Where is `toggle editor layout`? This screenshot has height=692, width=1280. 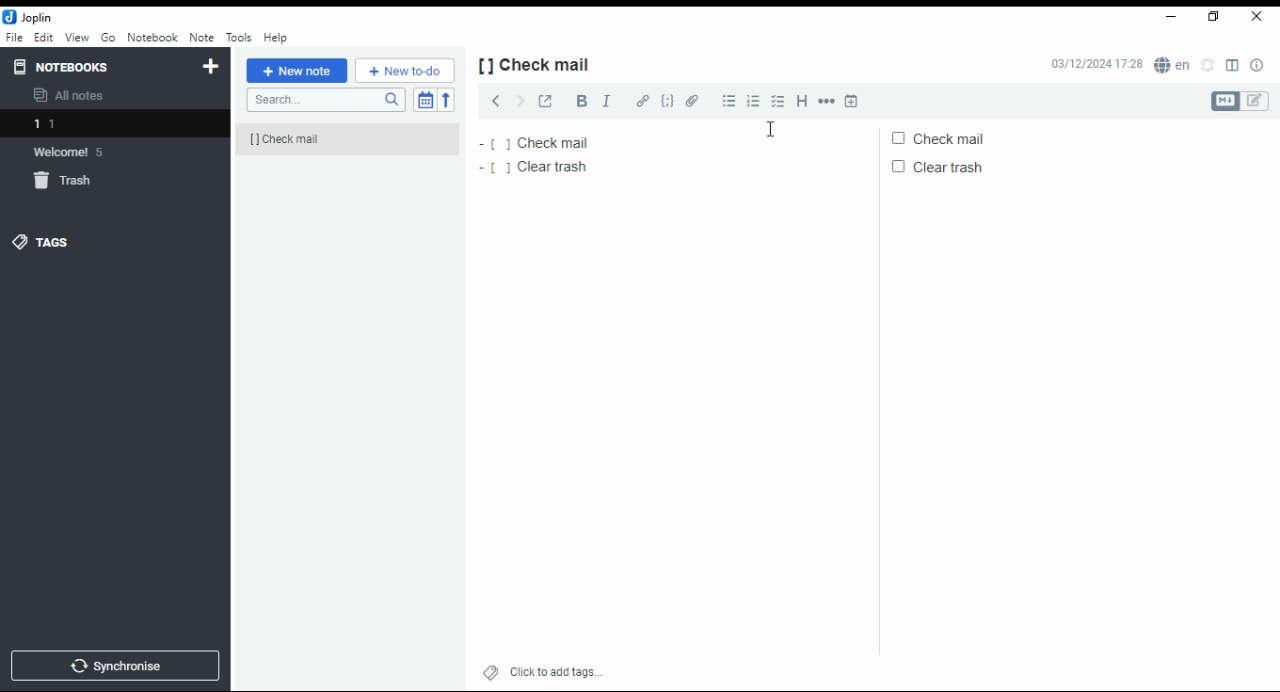 toggle editor layout is located at coordinates (1233, 63).